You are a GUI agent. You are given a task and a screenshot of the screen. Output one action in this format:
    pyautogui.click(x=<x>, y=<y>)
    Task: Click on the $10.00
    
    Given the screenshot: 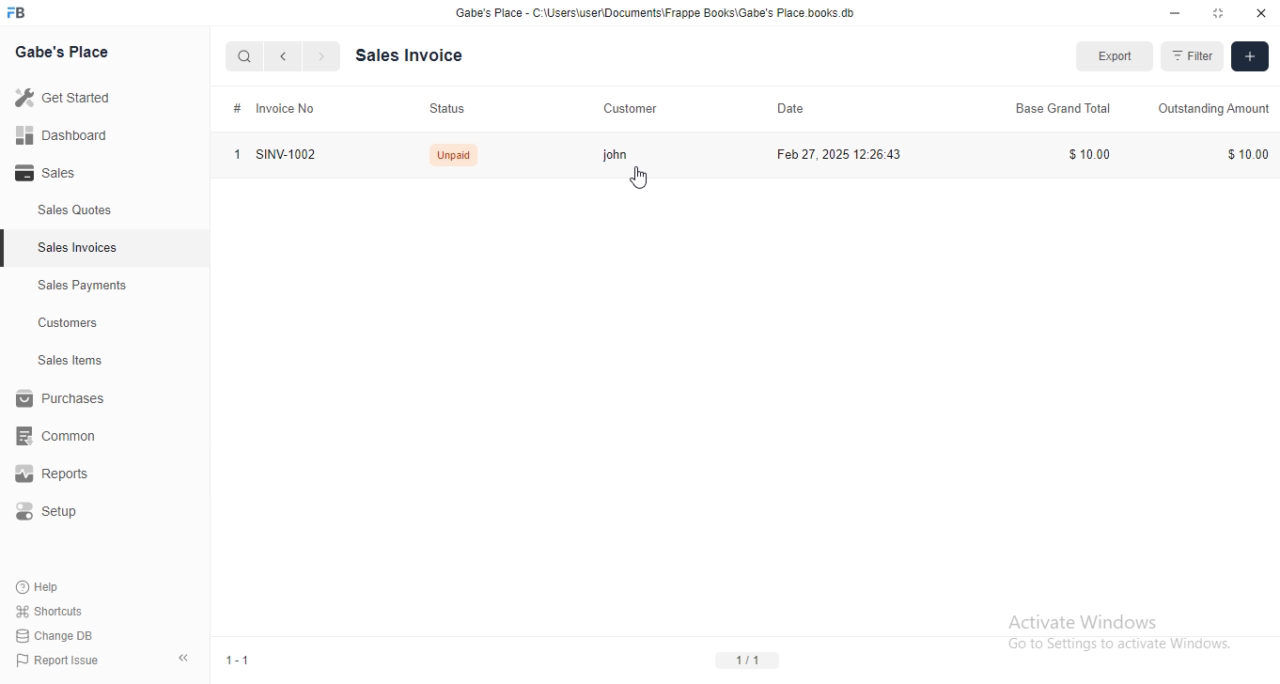 What is the action you would take?
    pyautogui.click(x=1090, y=155)
    